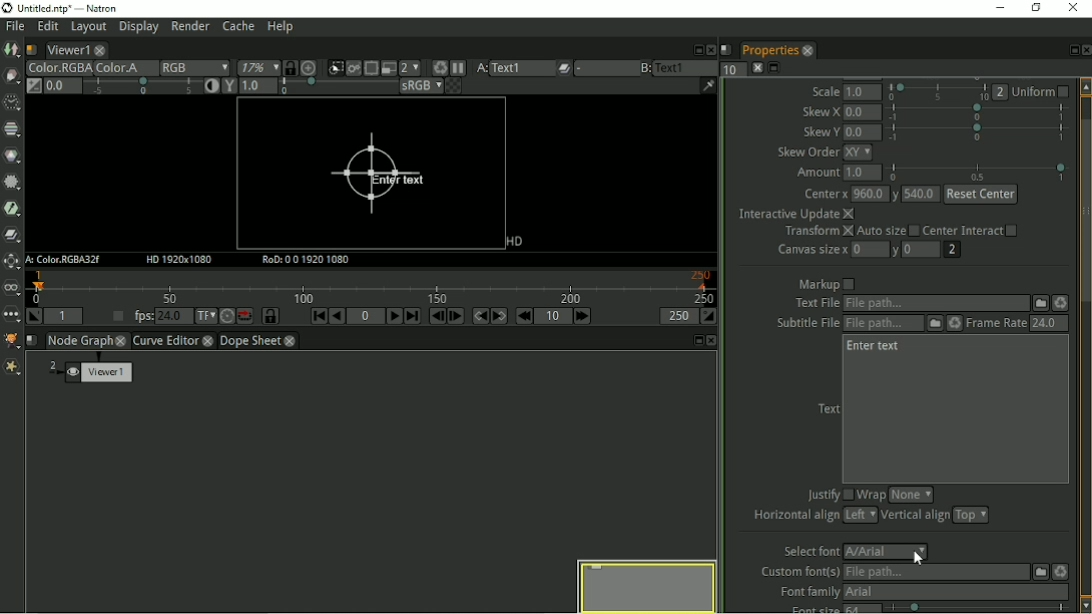  I want to click on Subtitle, so click(934, 324).